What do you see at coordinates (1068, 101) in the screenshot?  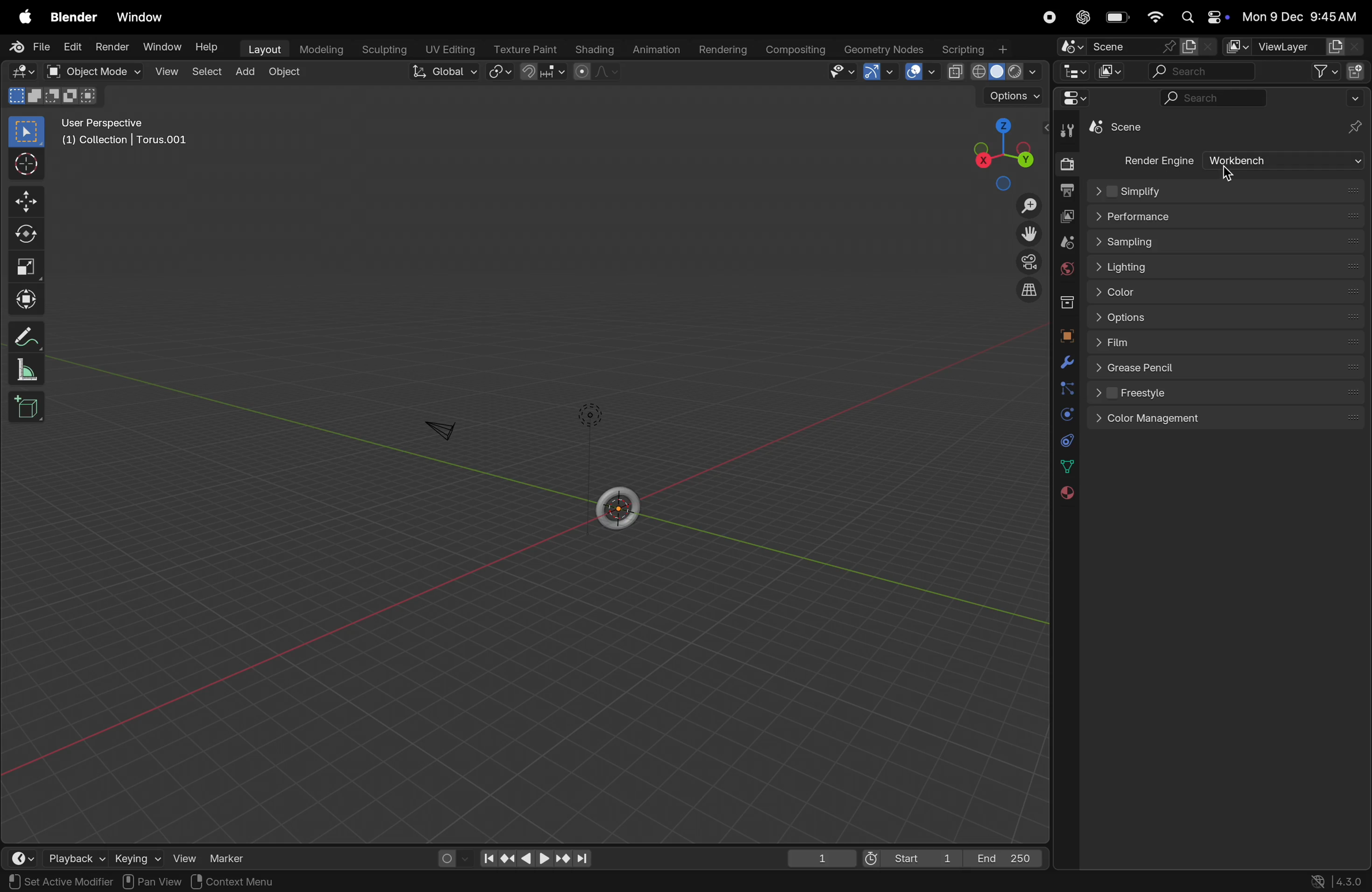 I see `editor type` at bounding box center [1068, 101].